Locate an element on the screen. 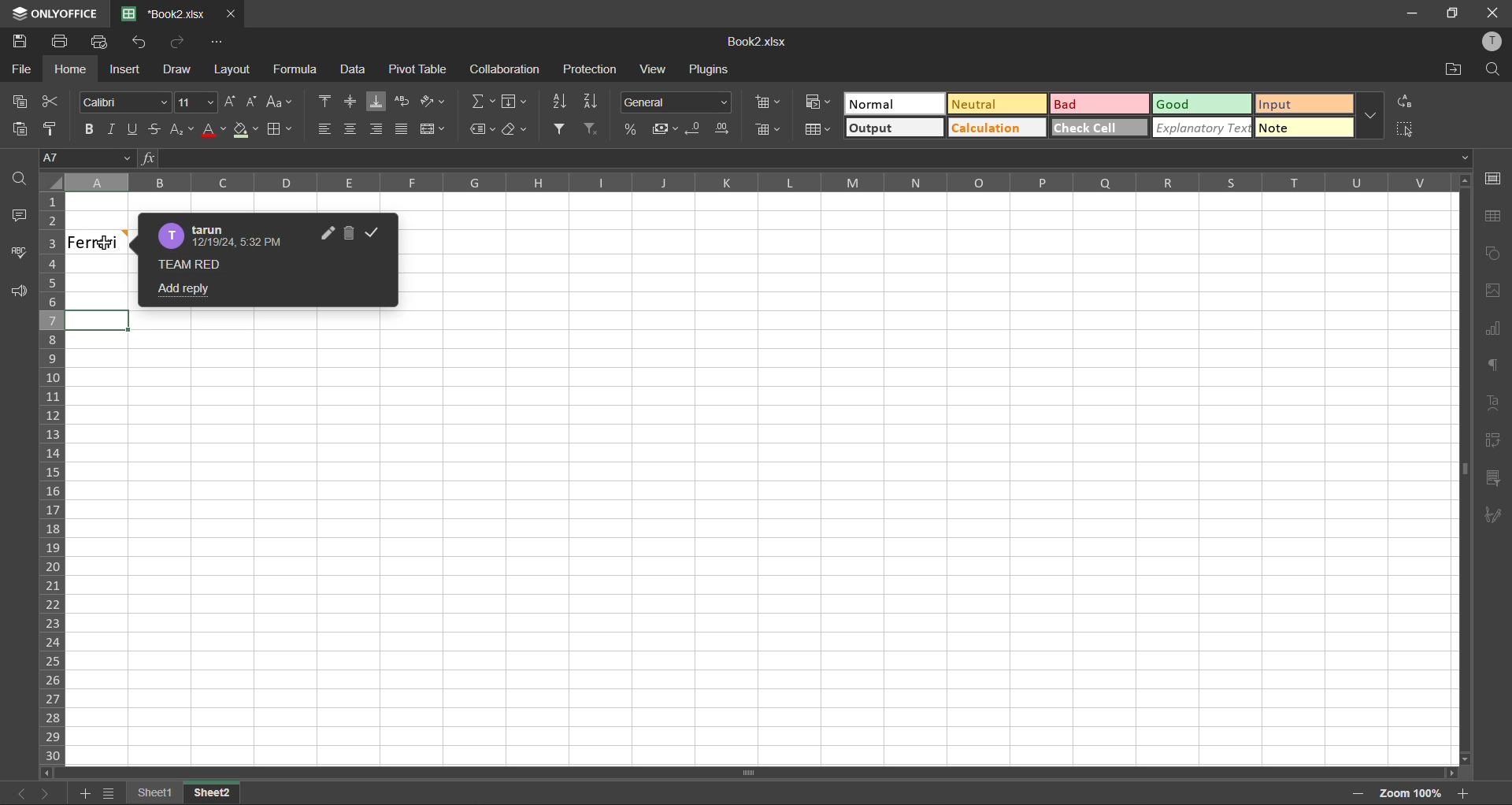  neutral is located at coordinates (996, 105).